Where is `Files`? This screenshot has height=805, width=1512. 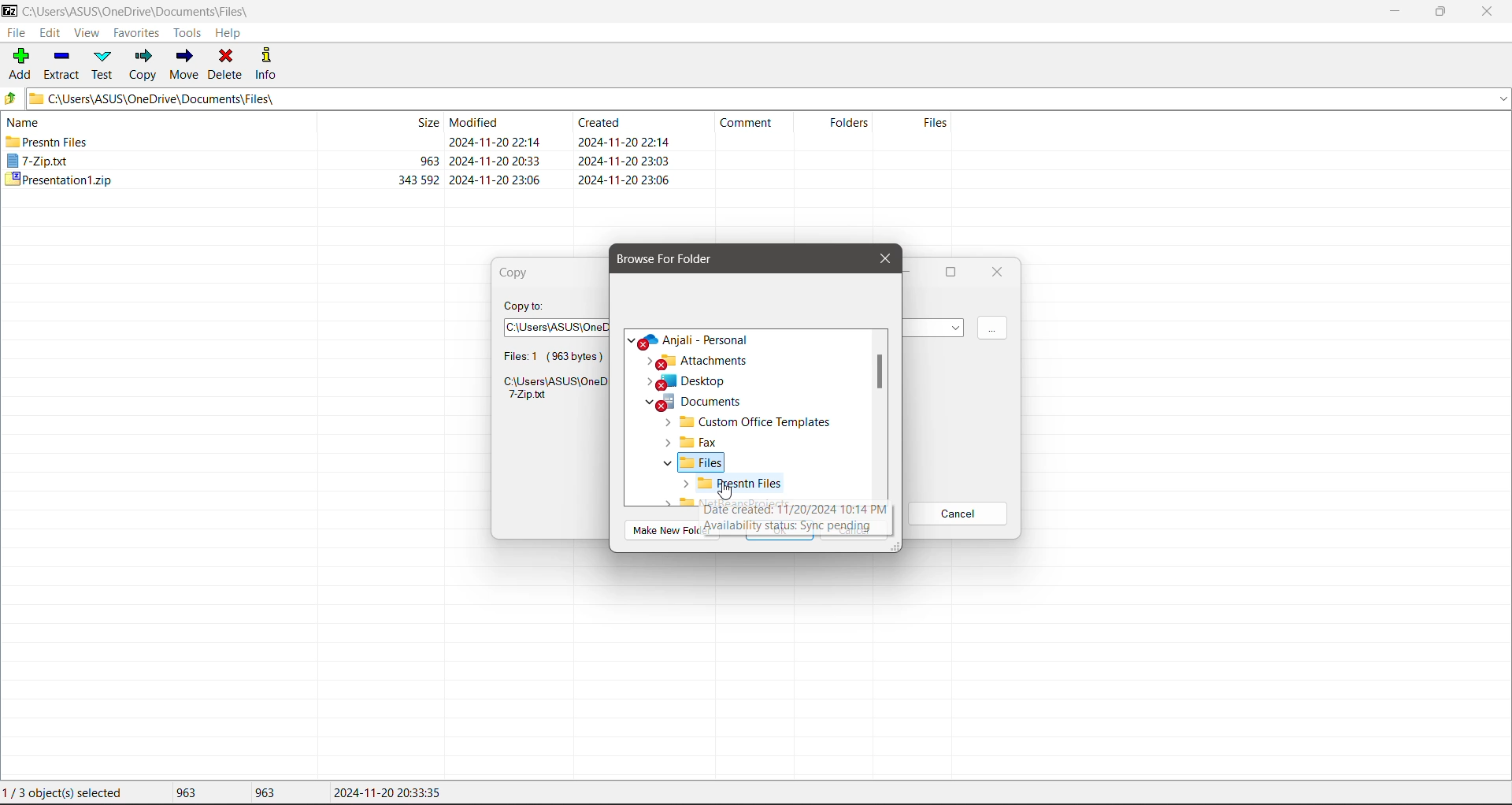 Files is located at coordinates (917, 131).